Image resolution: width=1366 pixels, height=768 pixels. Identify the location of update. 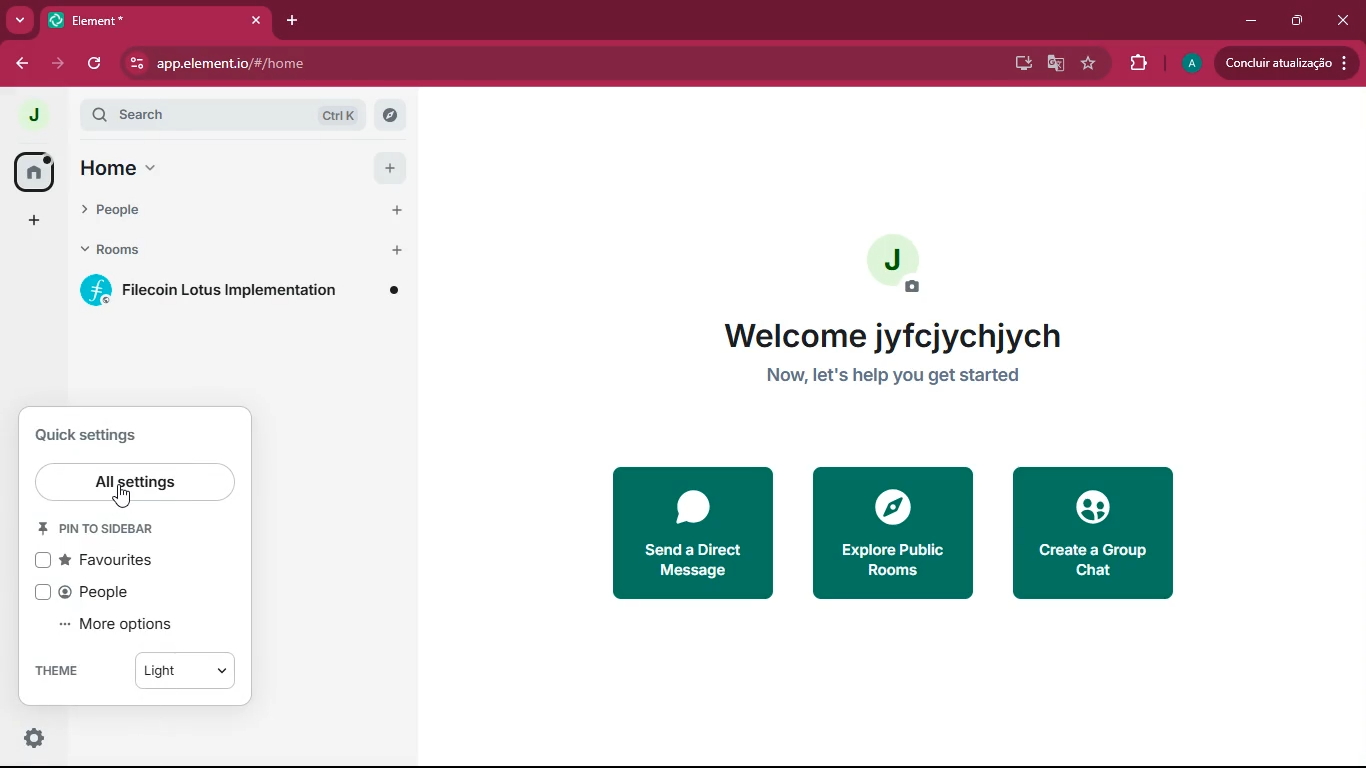
(1284, 62).